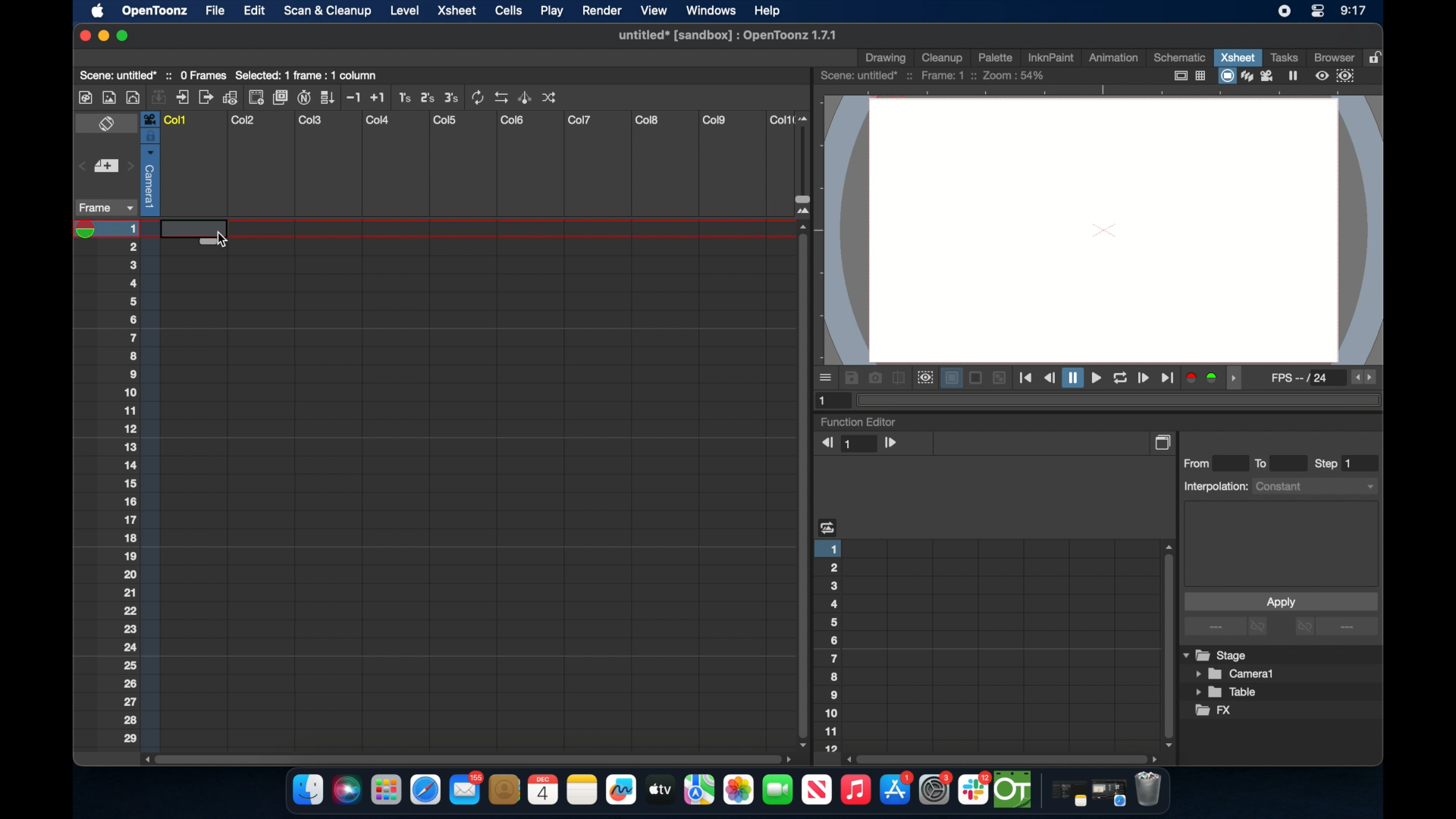 The height and width of the screenshot is (819, 1456). What do you see at coordinates (466, 758) in the screenshot?
I see `scroll box` at bounding box center [466, 758].